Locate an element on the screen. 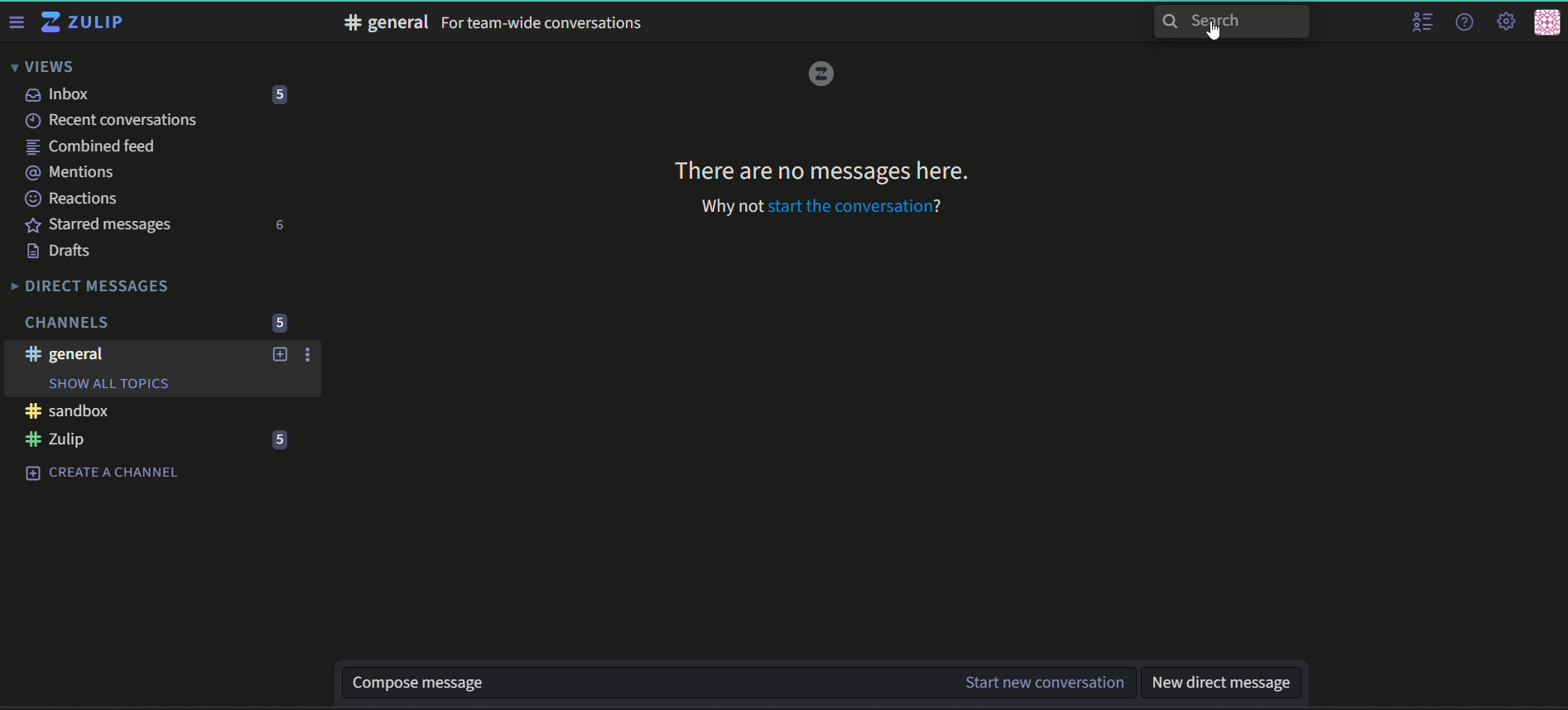 Image resolution: width=1568 pixels, height=710 pixels. #Zulip is located at coordinates (58, 439).